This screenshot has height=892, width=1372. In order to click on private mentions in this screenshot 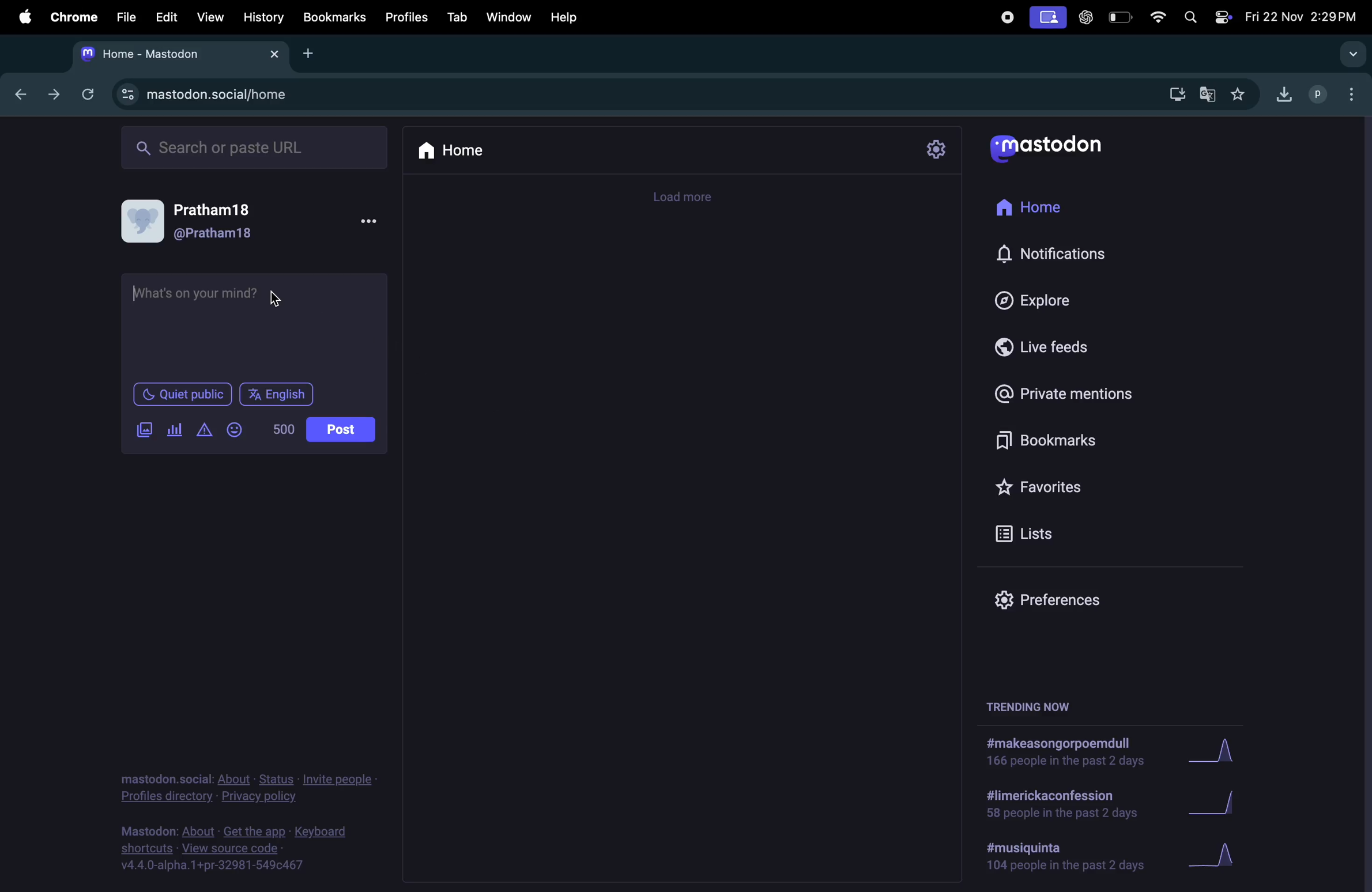, I will do `click(1083, 394)`.